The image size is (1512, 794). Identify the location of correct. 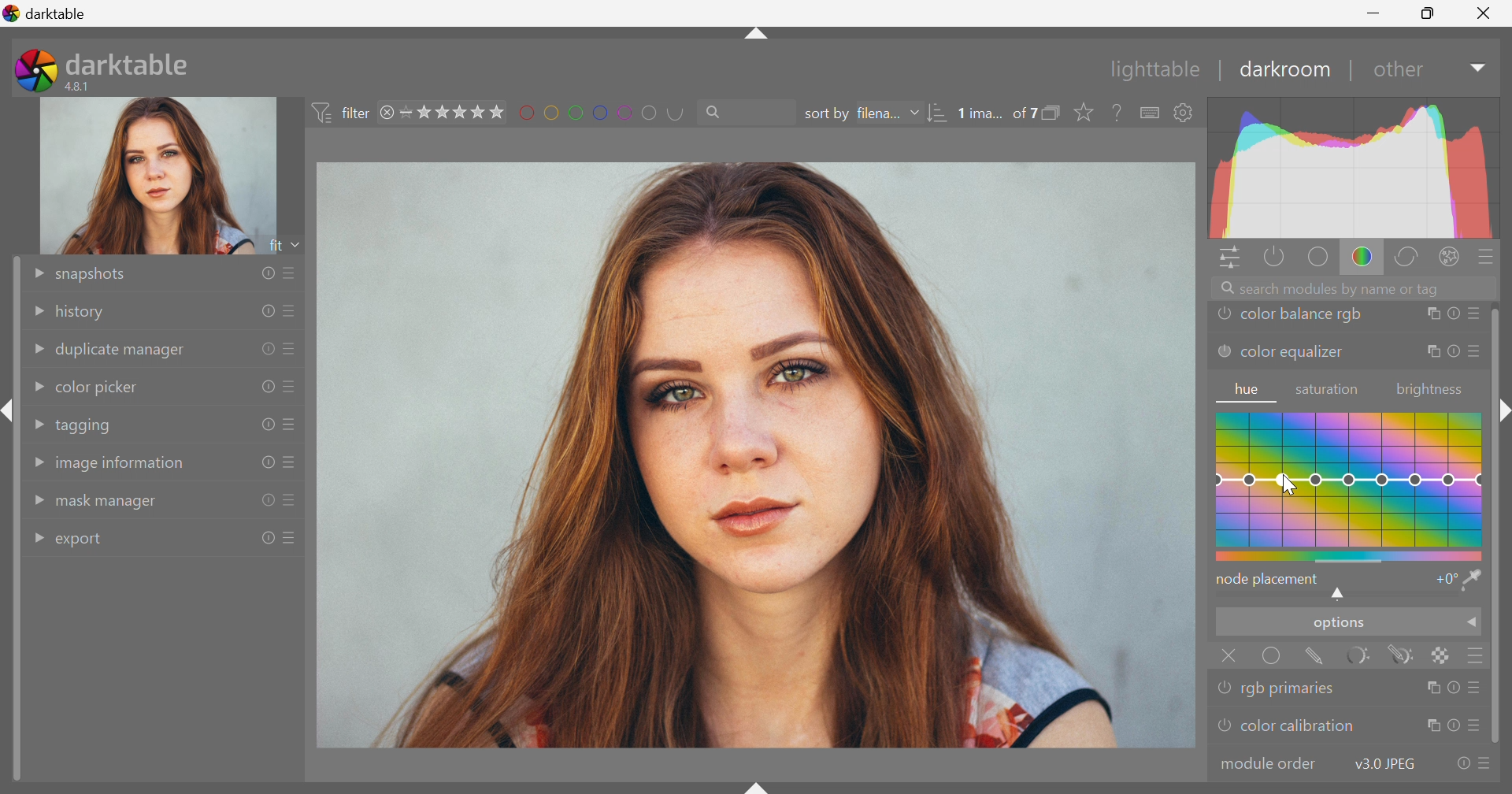
(1412, 258).